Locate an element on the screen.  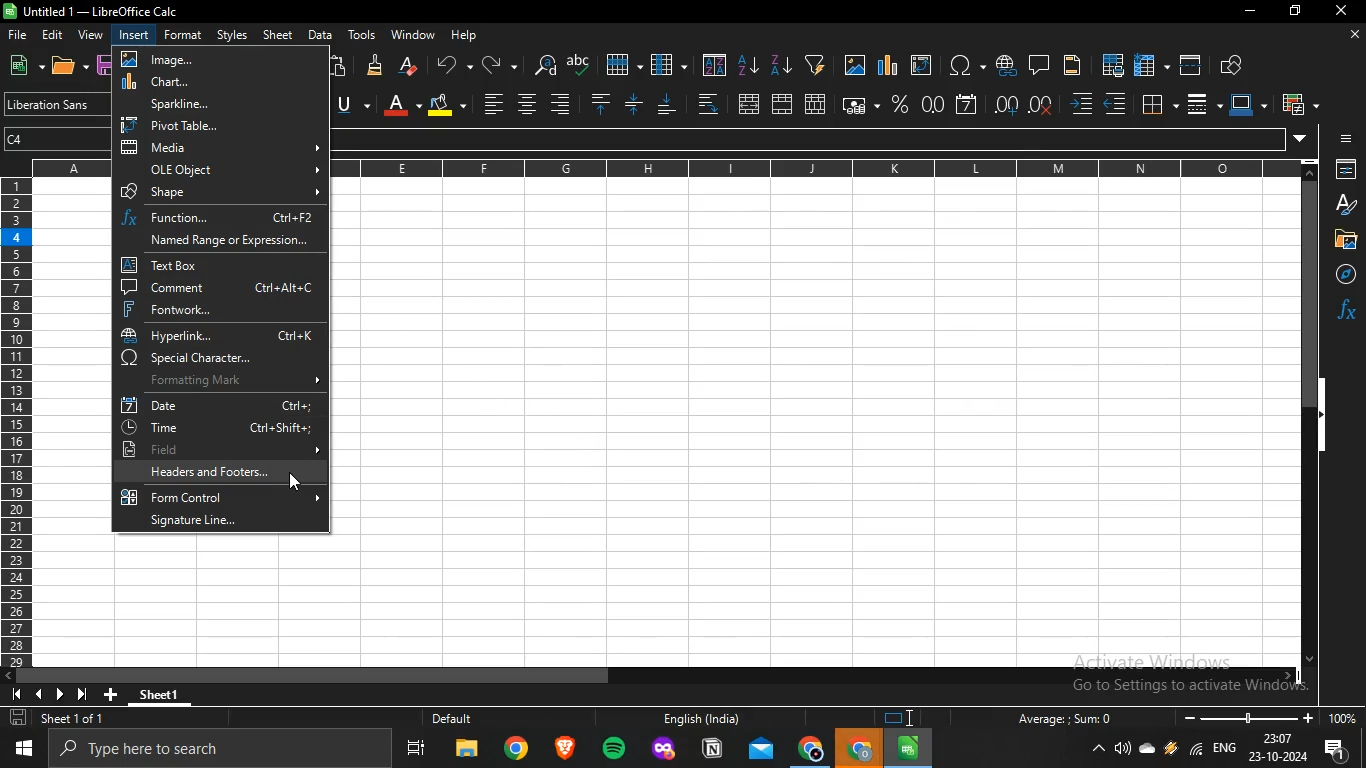
redo is located at coordinates (492, 64).